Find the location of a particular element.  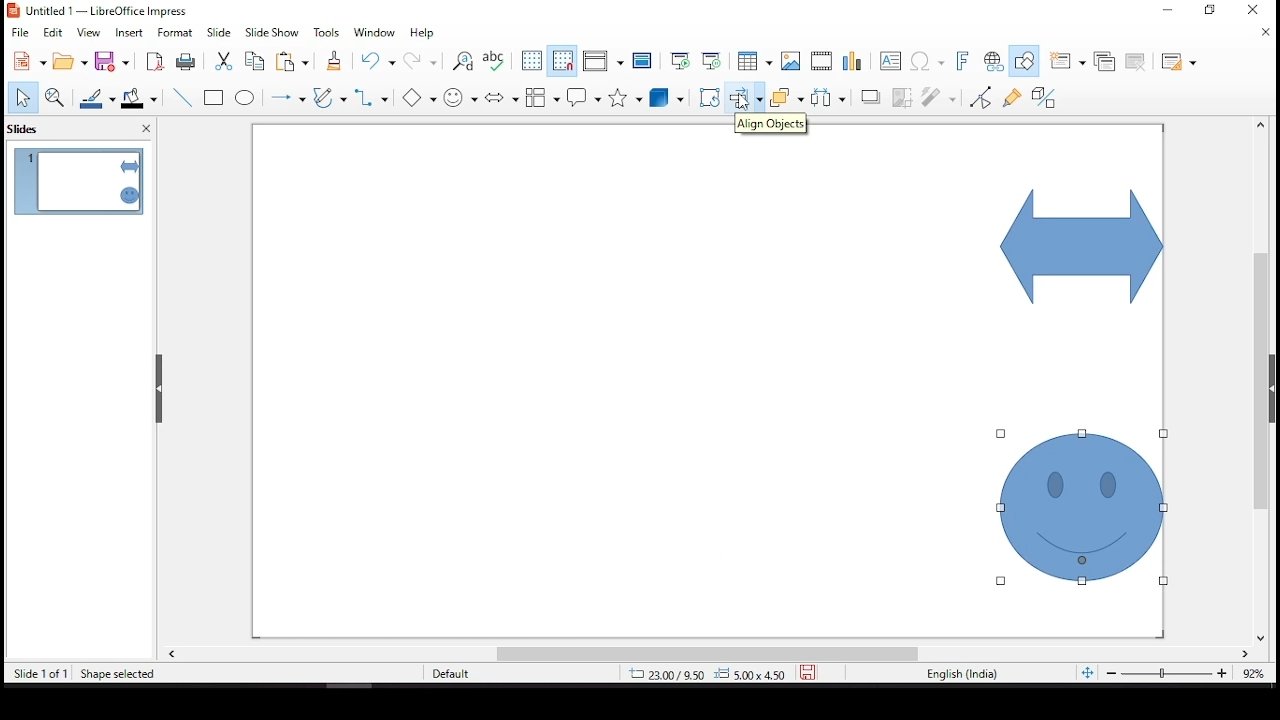

basic shapes is located at coordinates (419, 98).